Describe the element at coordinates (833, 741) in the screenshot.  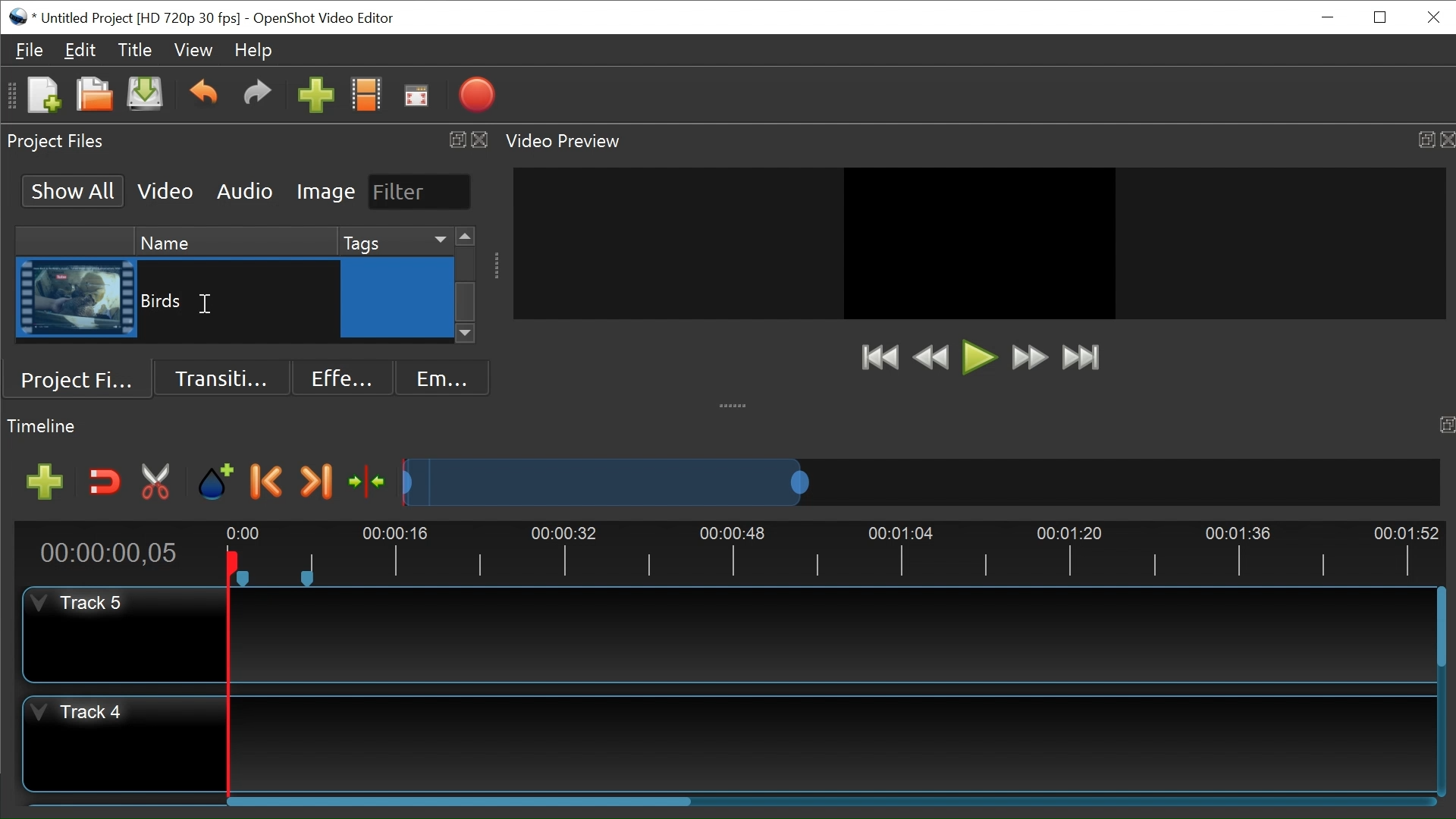
I see `Track Panel` at that location.